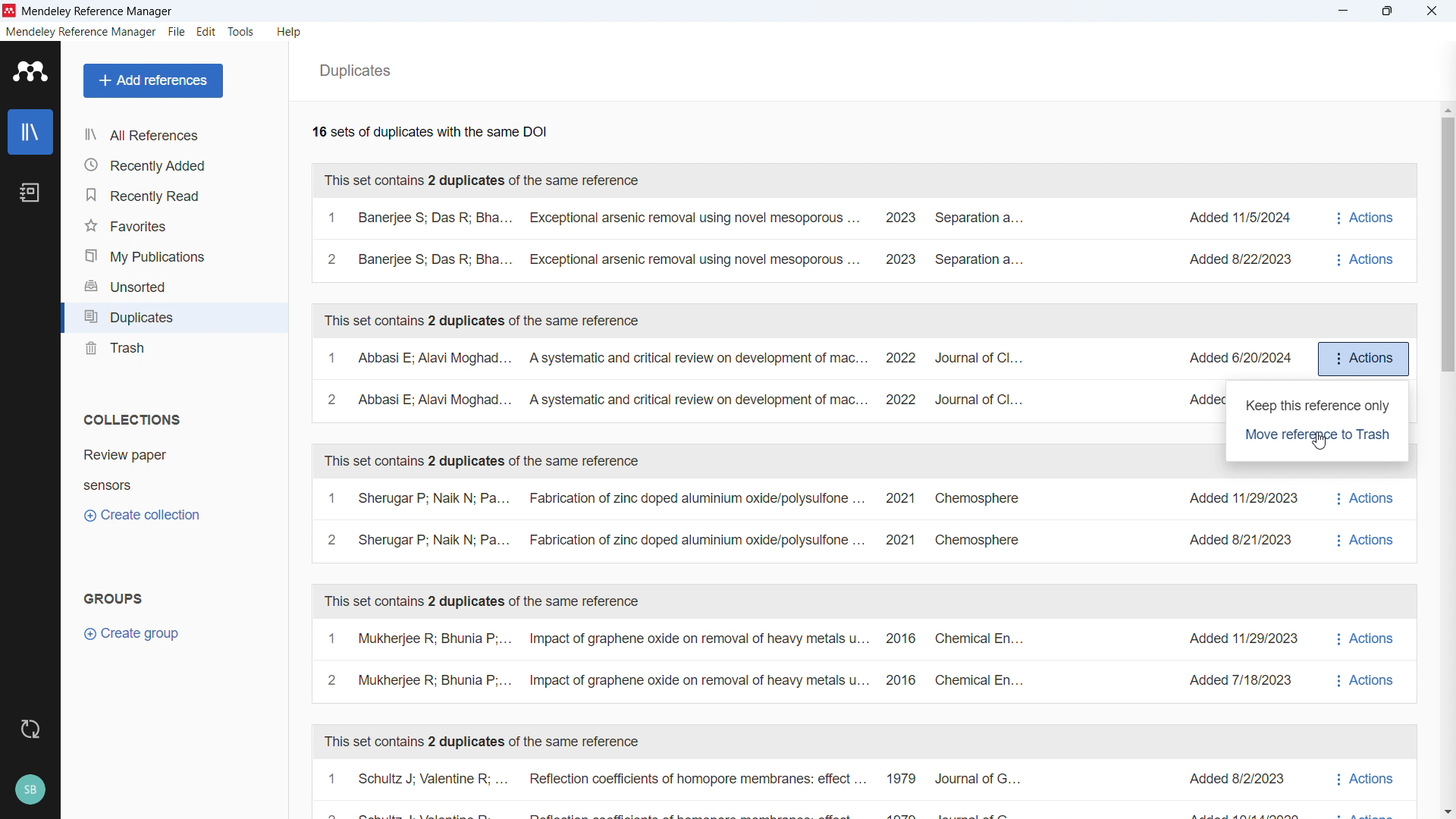 The image size is (1456, 819). Describe the element at coordinates (173, 254) in the screenshot. I see `My publications ` at that location.